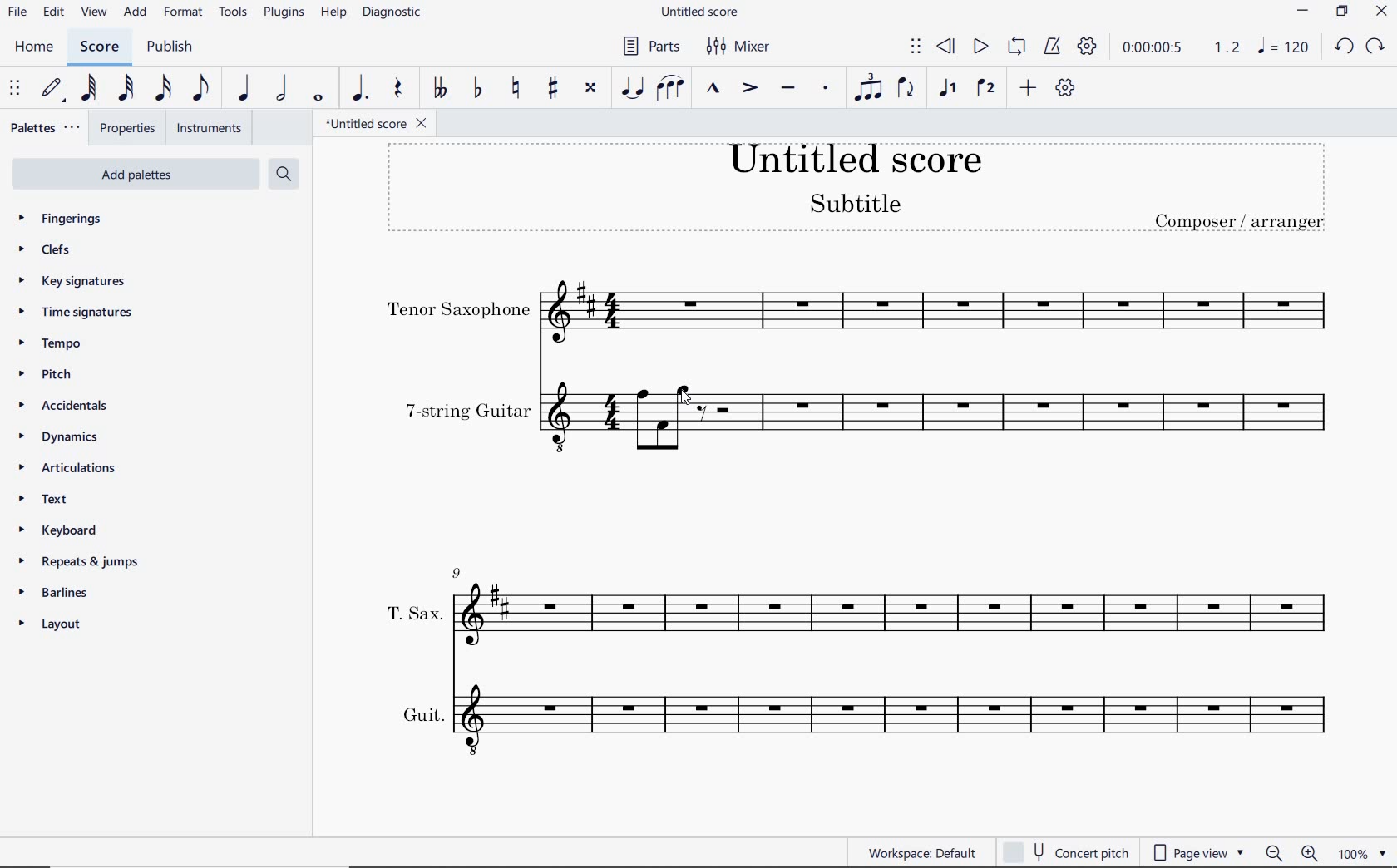  Describe the element at coordinates (380, 124) in the screenshot. I see `FILE NAME` at that location.